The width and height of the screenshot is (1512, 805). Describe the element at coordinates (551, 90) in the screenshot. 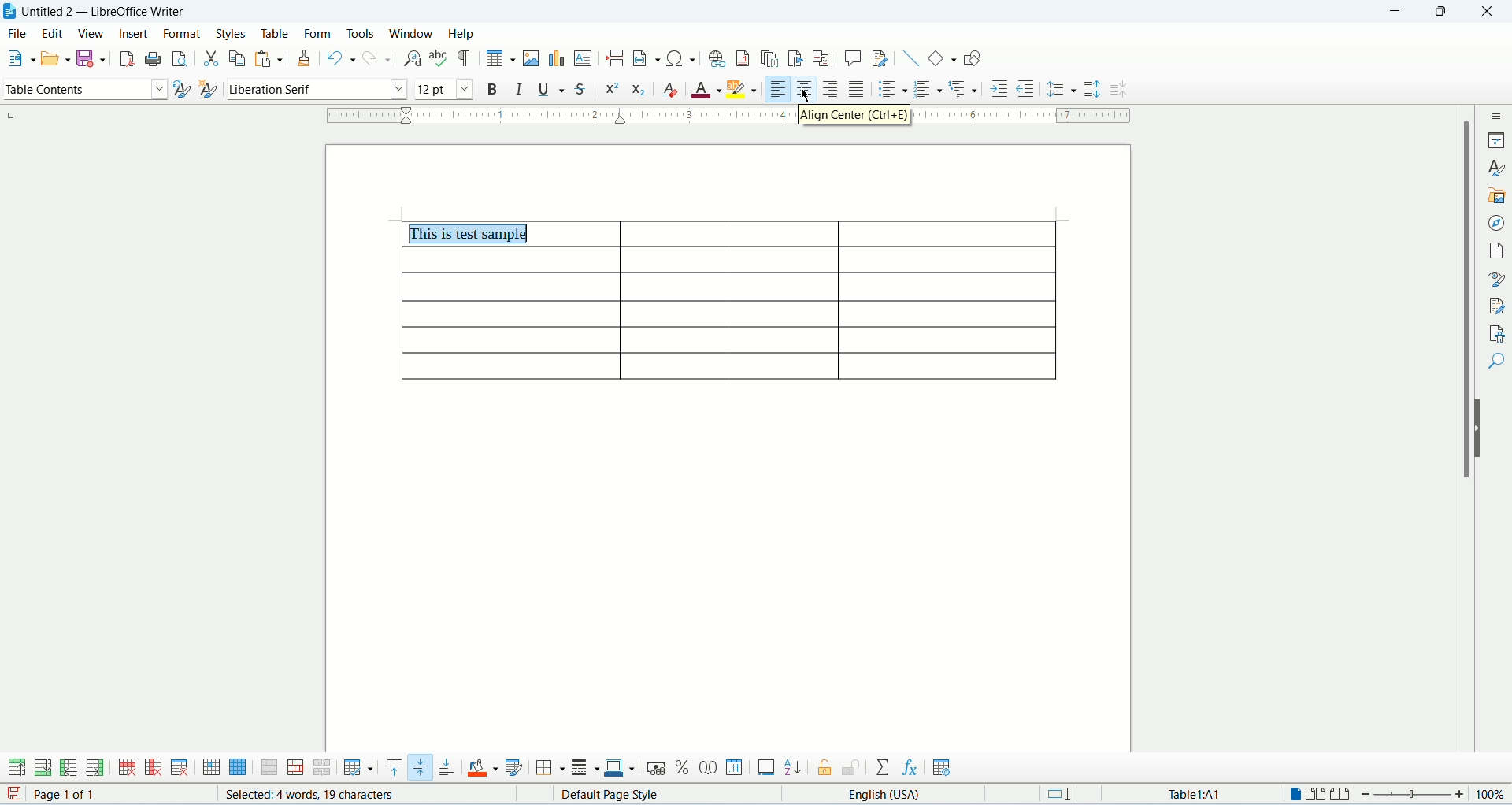

I see `underline` at that location.